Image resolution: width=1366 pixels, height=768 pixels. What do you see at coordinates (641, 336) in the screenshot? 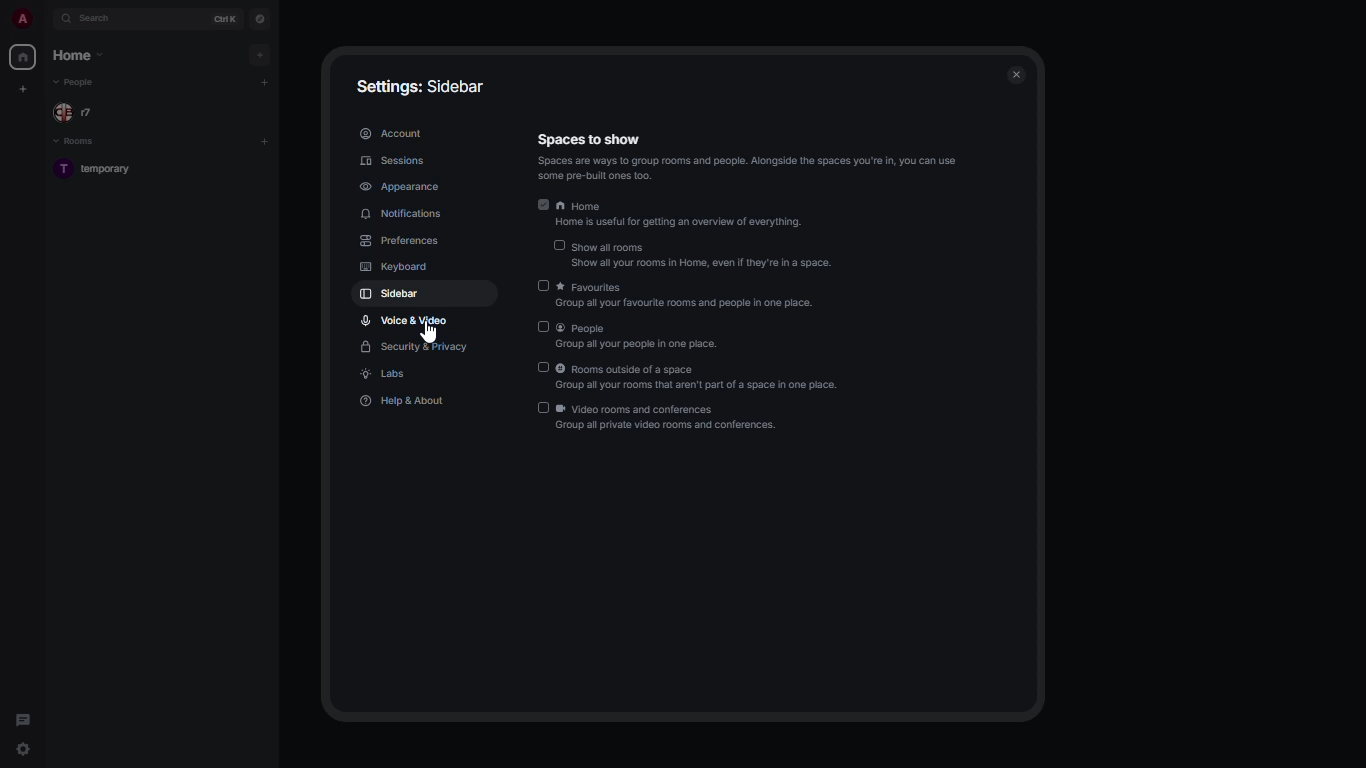
I see `people` at bounding box center [641, 336].